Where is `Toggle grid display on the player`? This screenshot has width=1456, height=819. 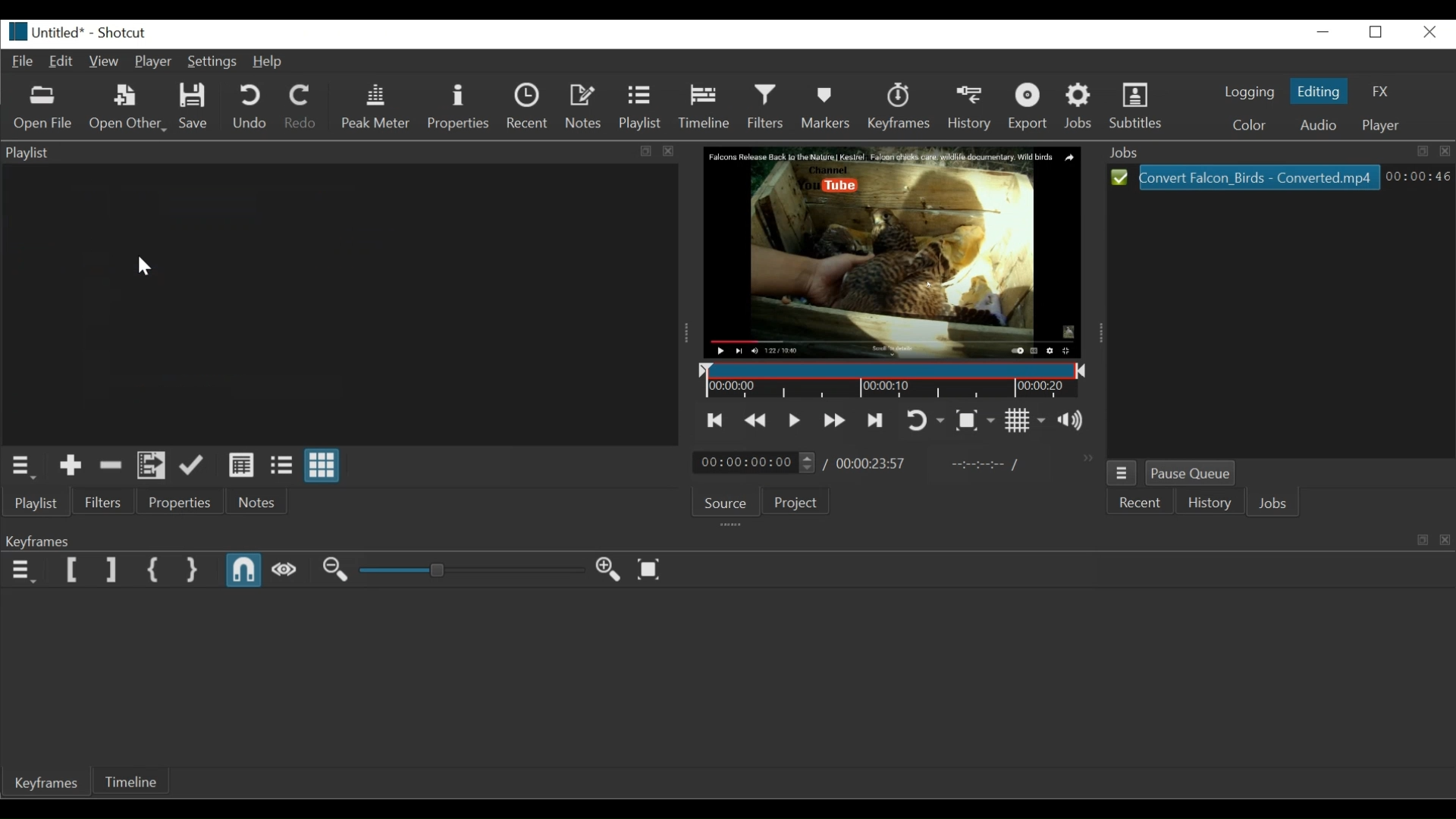
Toggle grid display on the player is located at coordinates (1026, 422).